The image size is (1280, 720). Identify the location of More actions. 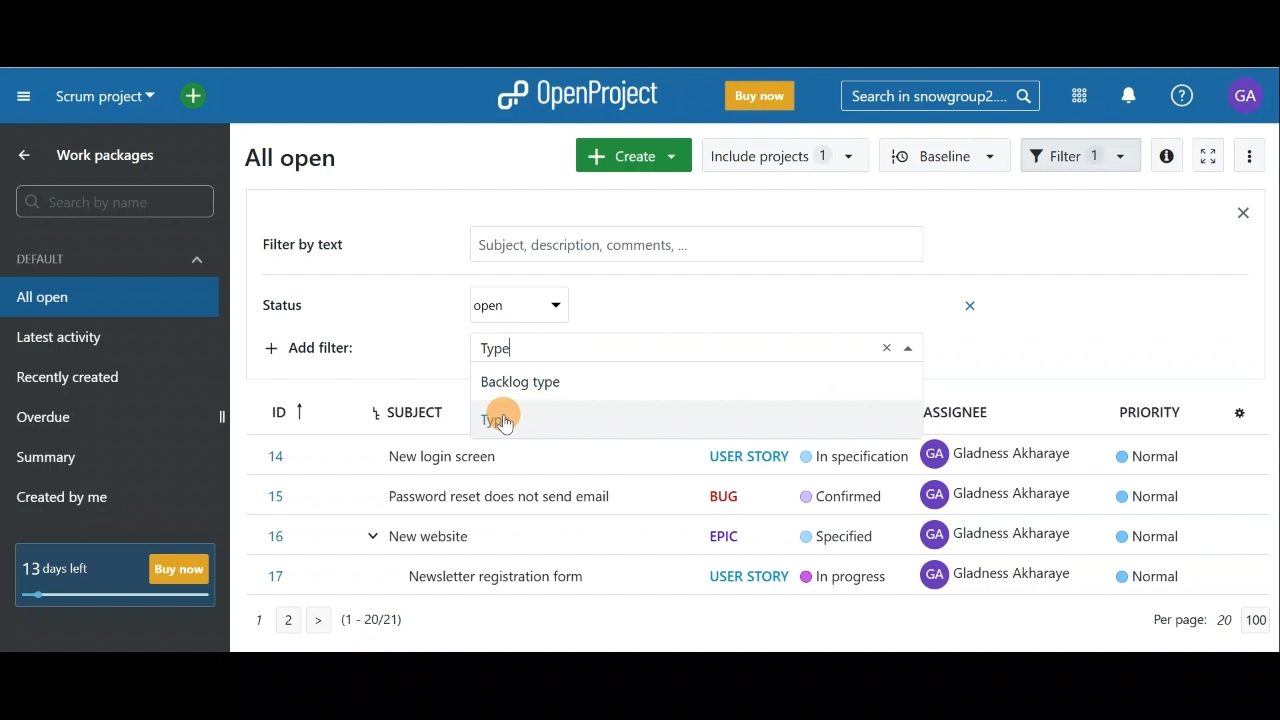
(1250, 159).